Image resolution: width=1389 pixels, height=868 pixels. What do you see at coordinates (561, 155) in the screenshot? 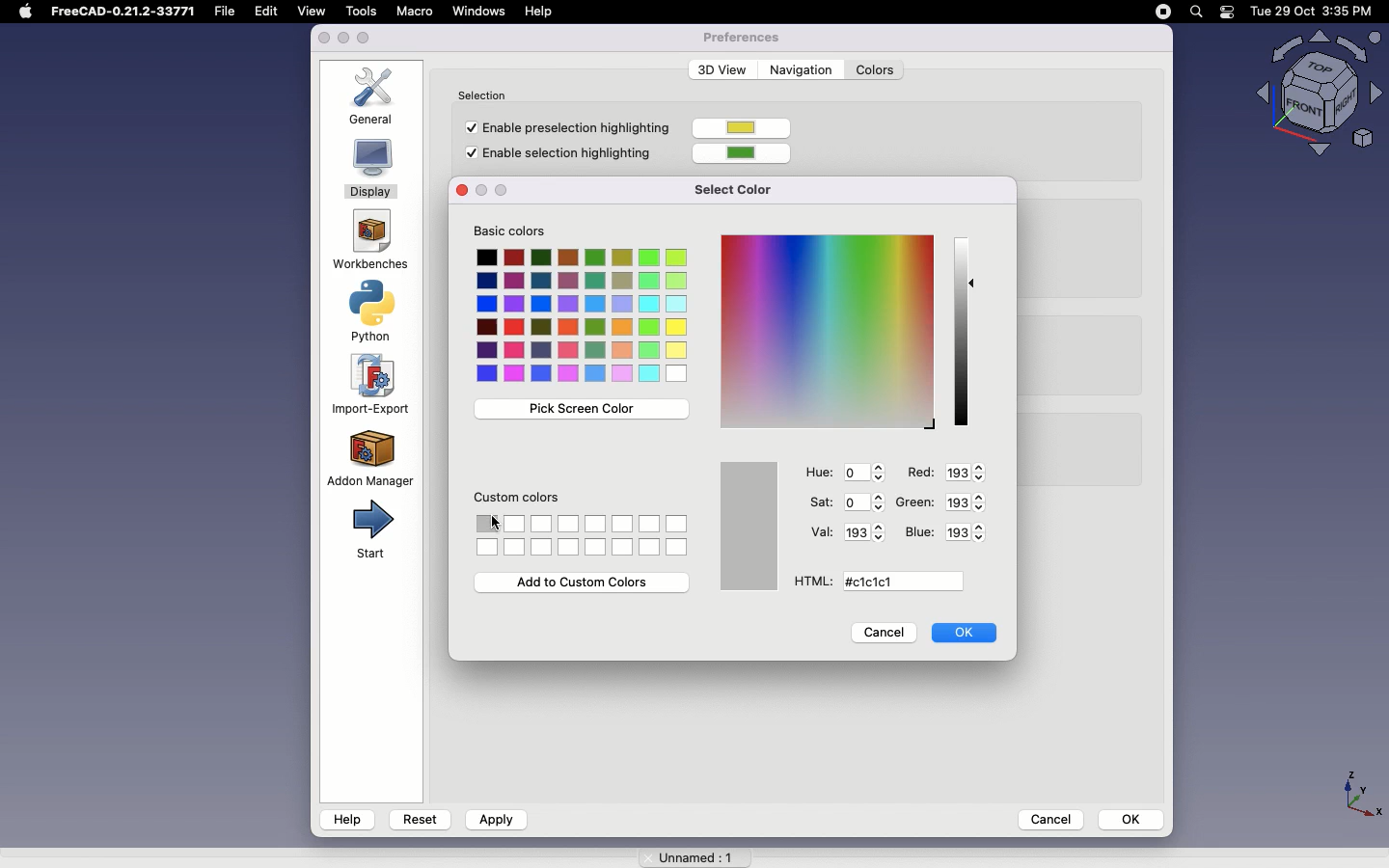
I see `Enable selection highlighting` at bounding box center [561, 155].